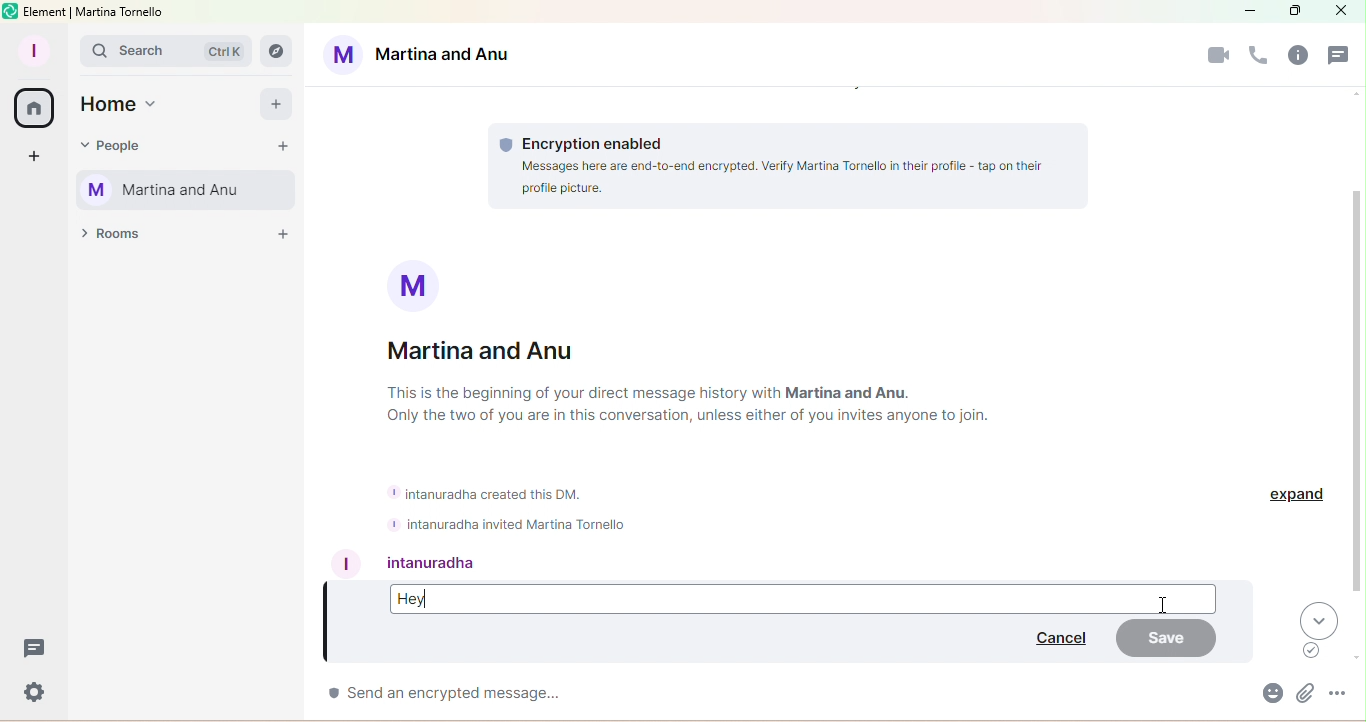 Image resolution: width=1366 pixels, height=722 pixels. Describe the element at coordinates (1320, 619) in the screenshot. I see `Scroll to most recent messages` at that location.